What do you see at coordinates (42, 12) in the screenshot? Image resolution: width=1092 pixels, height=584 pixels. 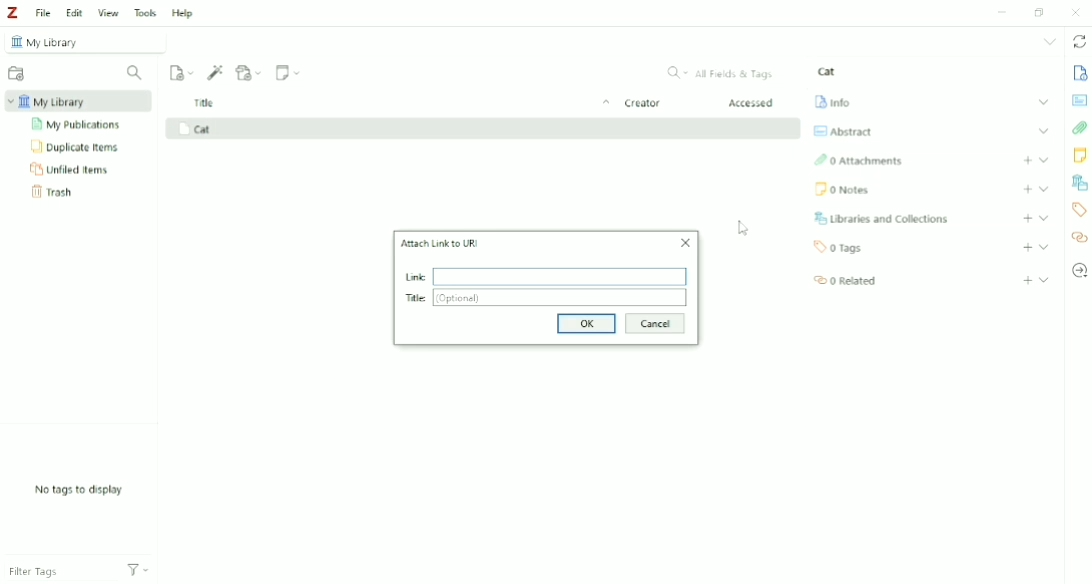 I see `File` at bounding box center [42, 12].